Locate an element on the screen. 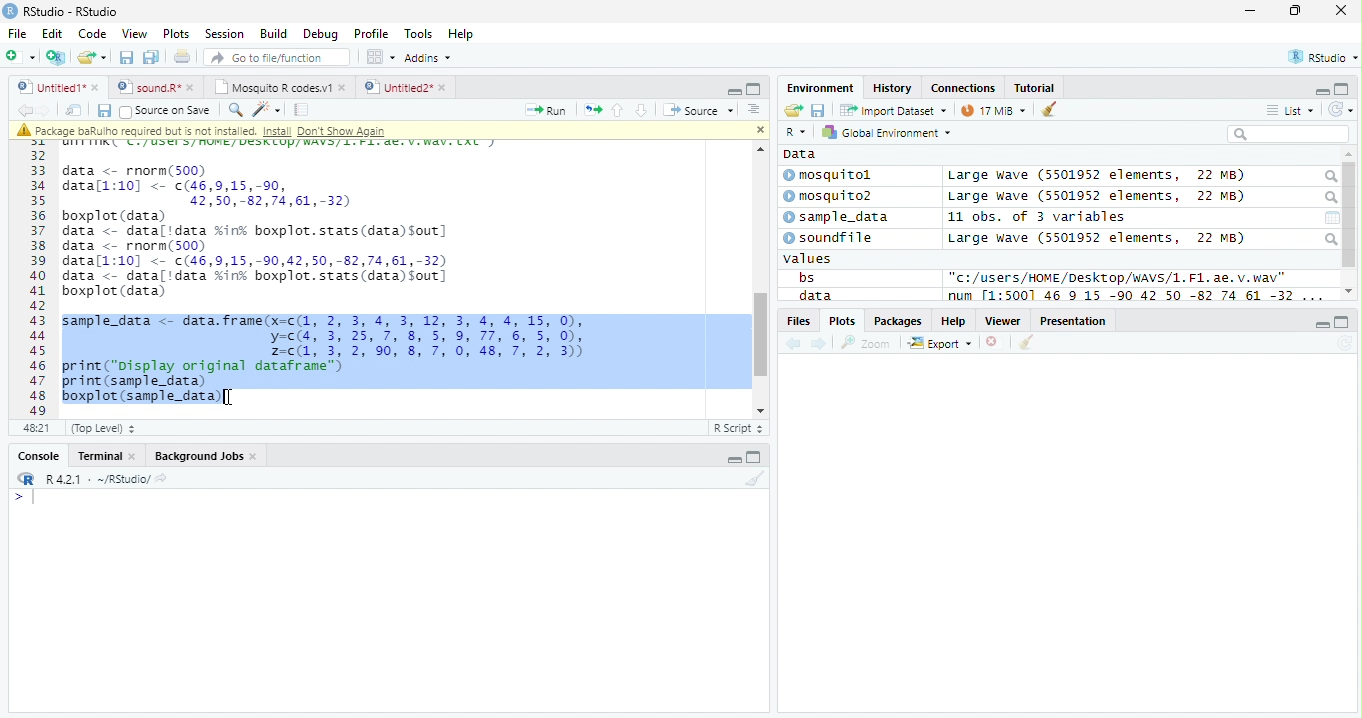 Image resolution: width=1362 pixels, height=718 pixels. zoom is located at coordinates (866, 342).